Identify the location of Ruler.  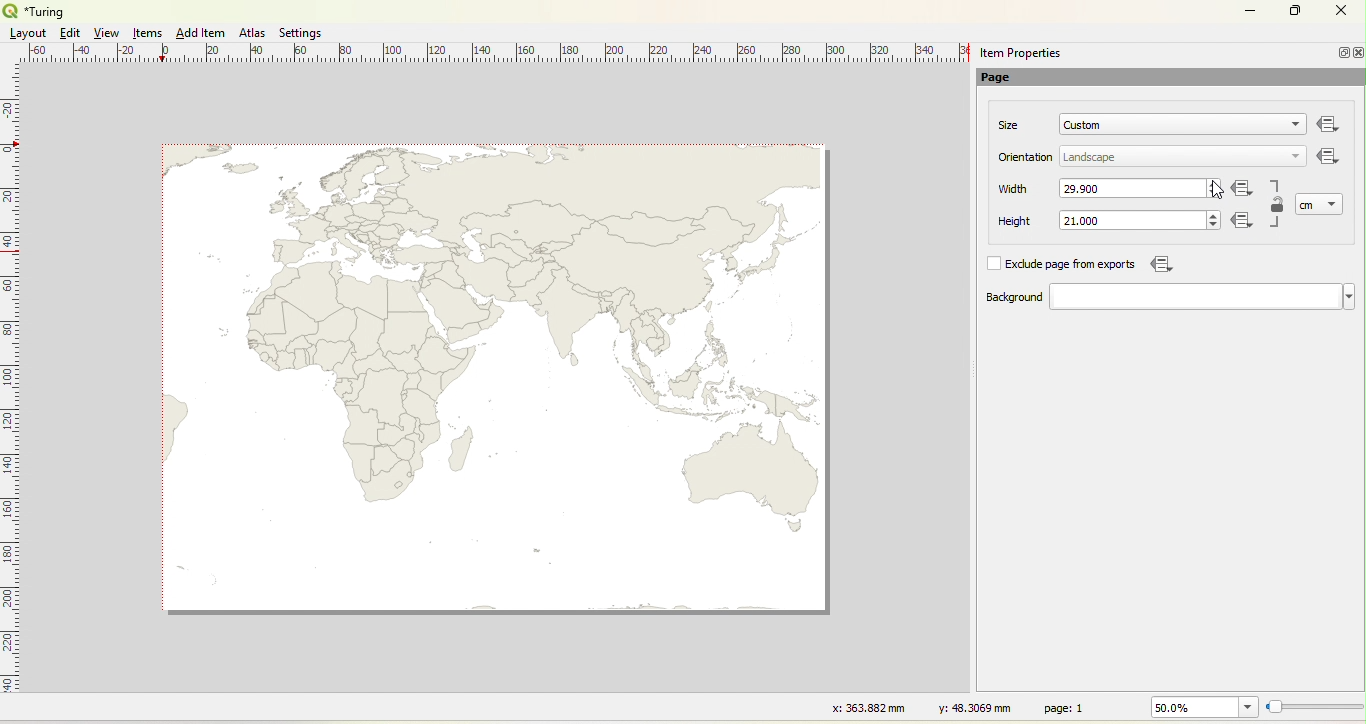
(501, 54).